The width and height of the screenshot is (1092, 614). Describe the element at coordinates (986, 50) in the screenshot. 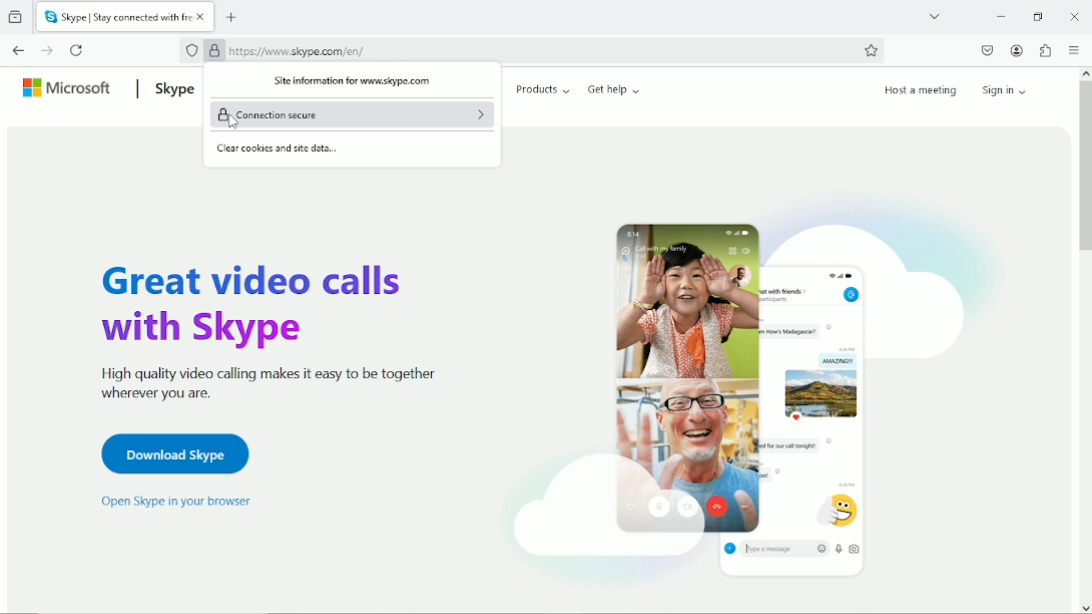

I see `Save to pocket` at that location.